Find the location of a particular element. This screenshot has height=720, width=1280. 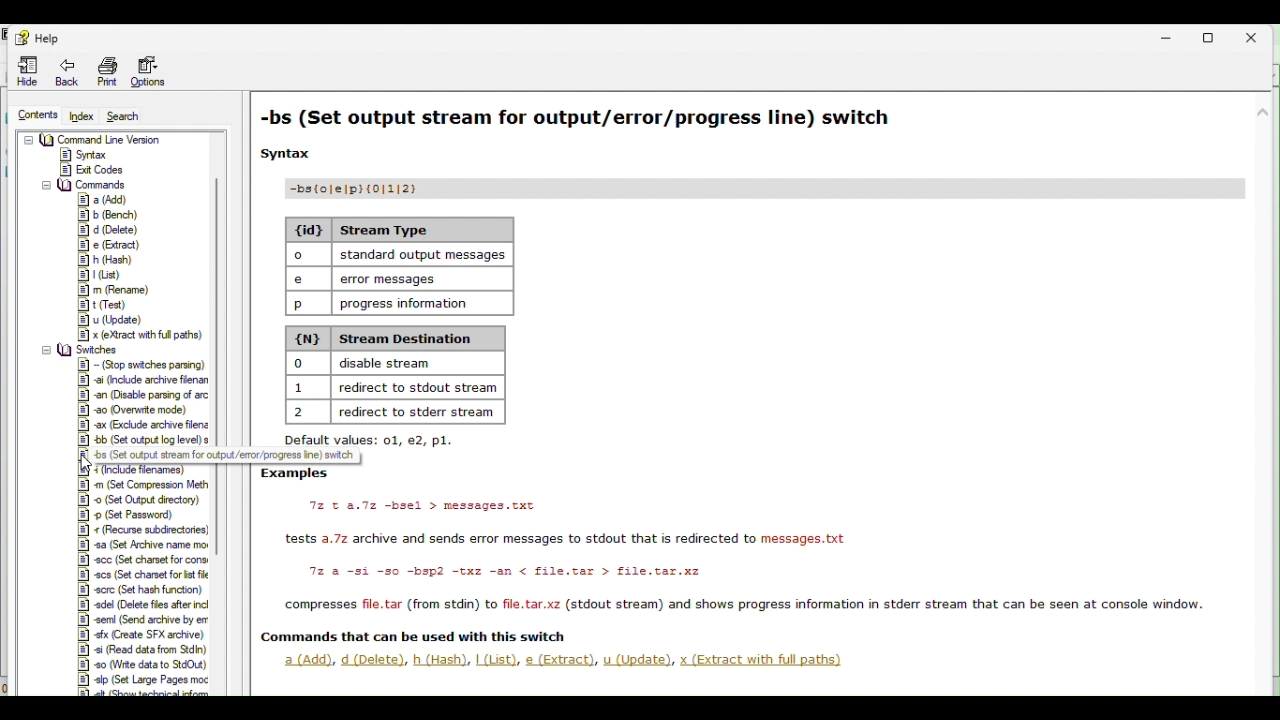

Search is located at coordinates (132, 117).